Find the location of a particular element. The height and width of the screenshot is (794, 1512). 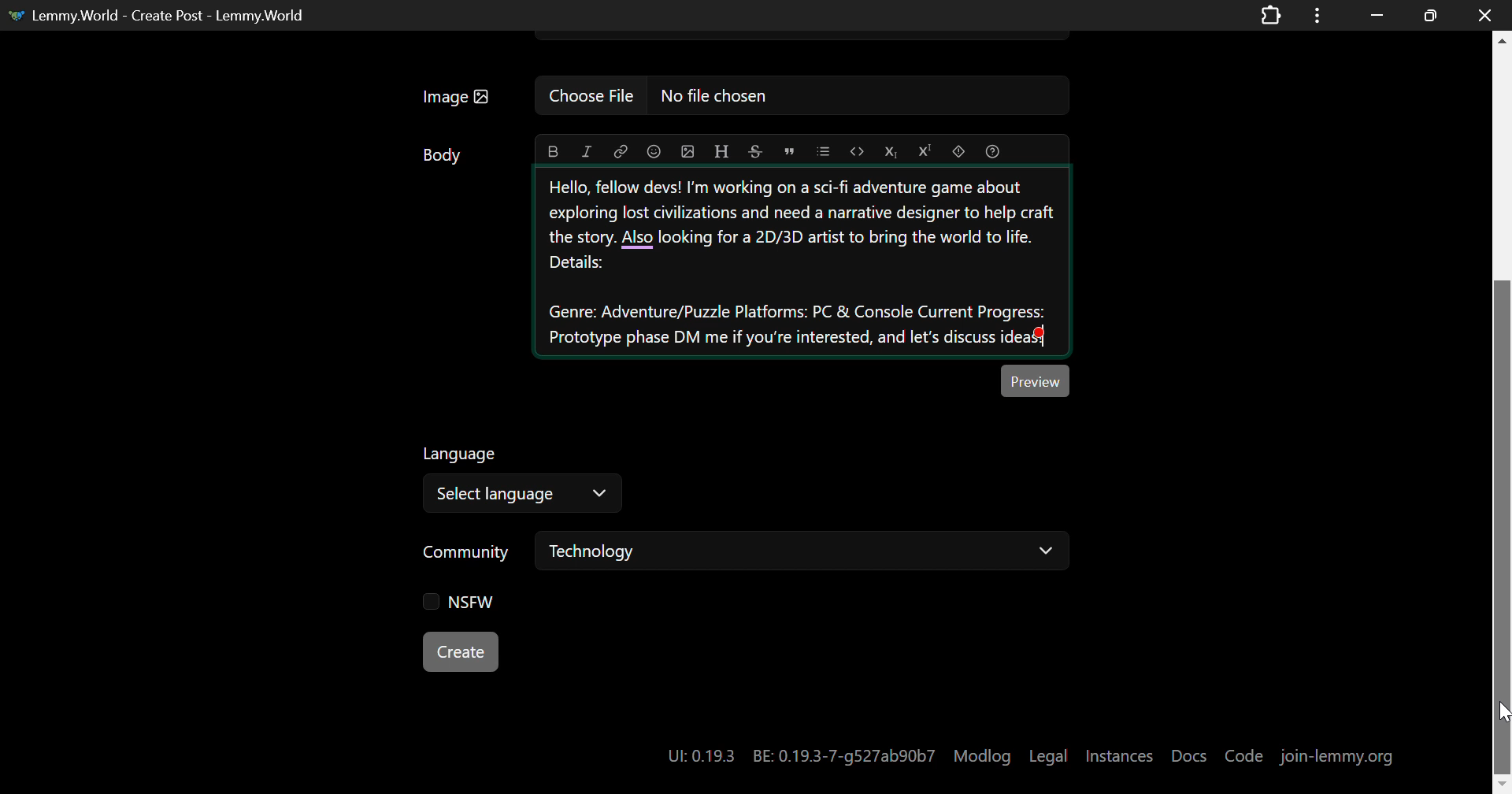

Body is located at coordinates (443, 155).